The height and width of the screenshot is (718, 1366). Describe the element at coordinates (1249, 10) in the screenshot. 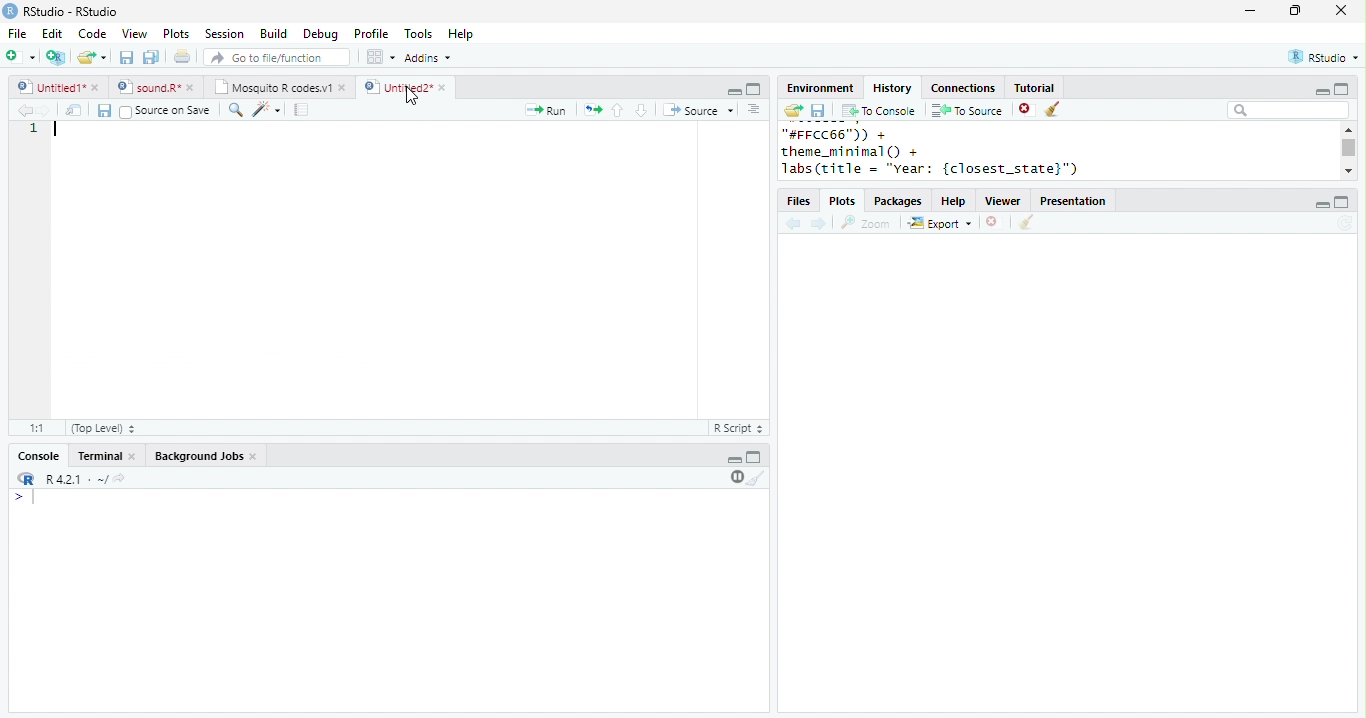

I see `minimize` at that location.